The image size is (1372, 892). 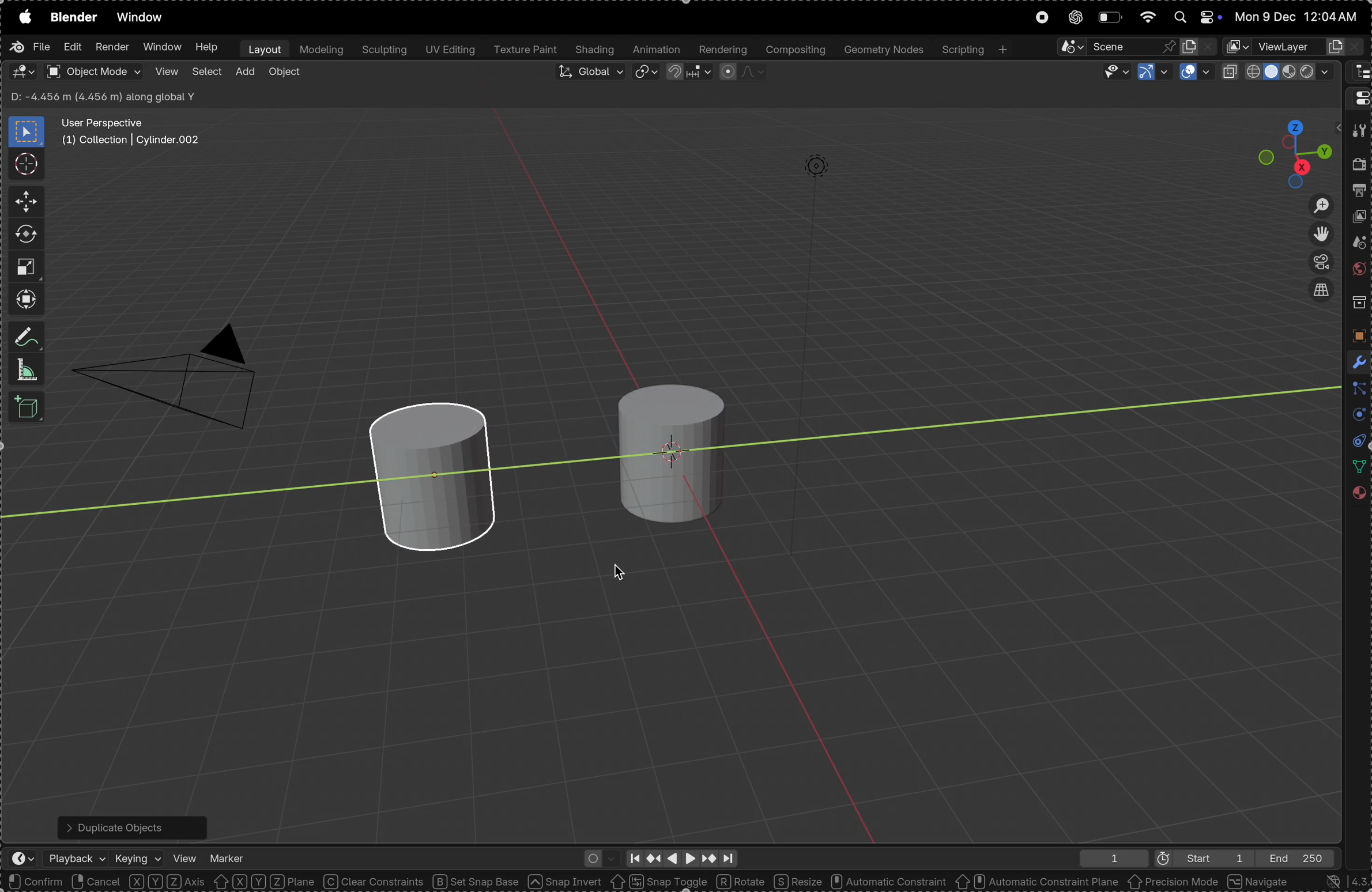 I want to click on toggle camera view, so click(x=1317, y=263).